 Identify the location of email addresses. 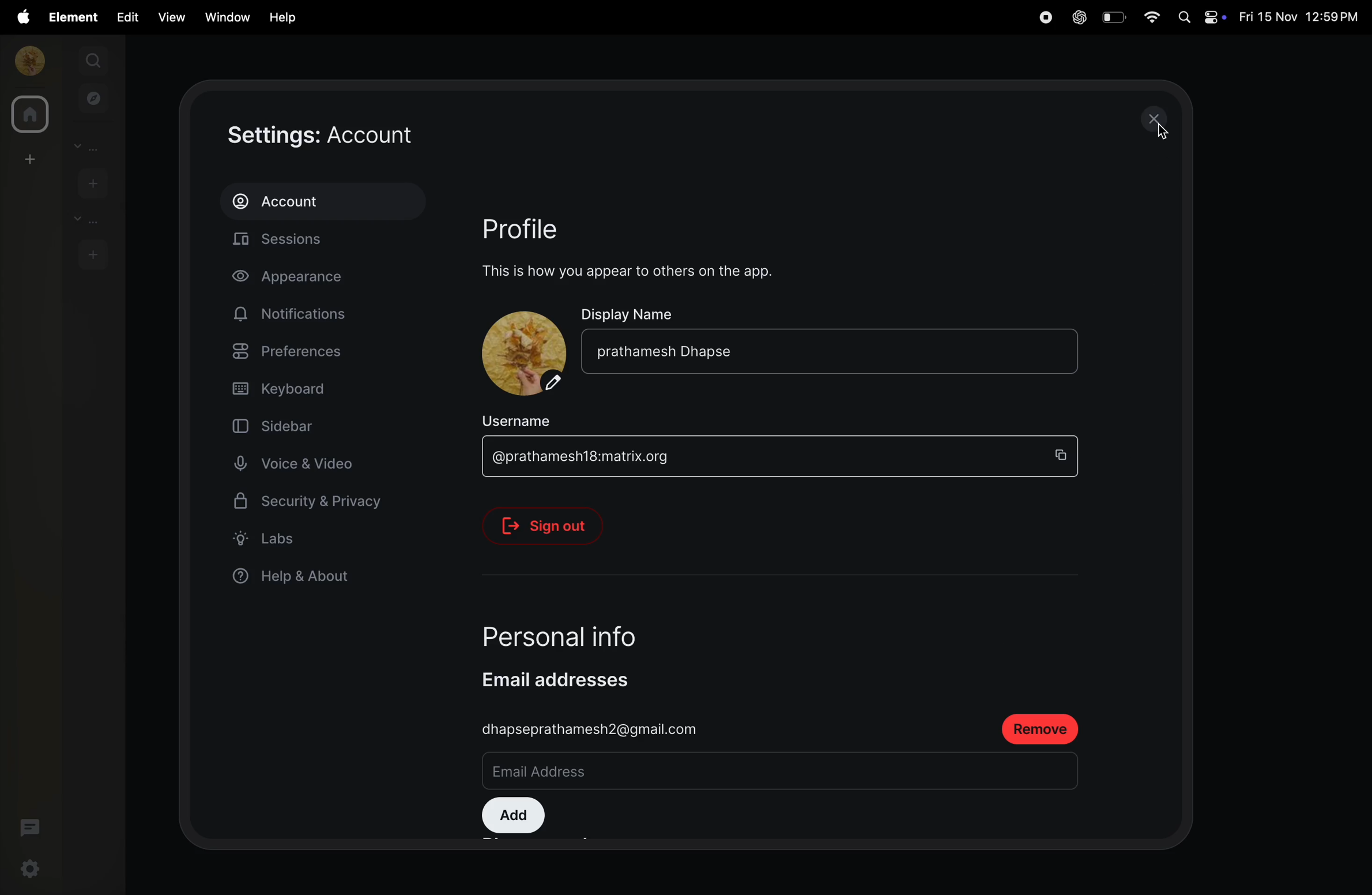
(568, 679).